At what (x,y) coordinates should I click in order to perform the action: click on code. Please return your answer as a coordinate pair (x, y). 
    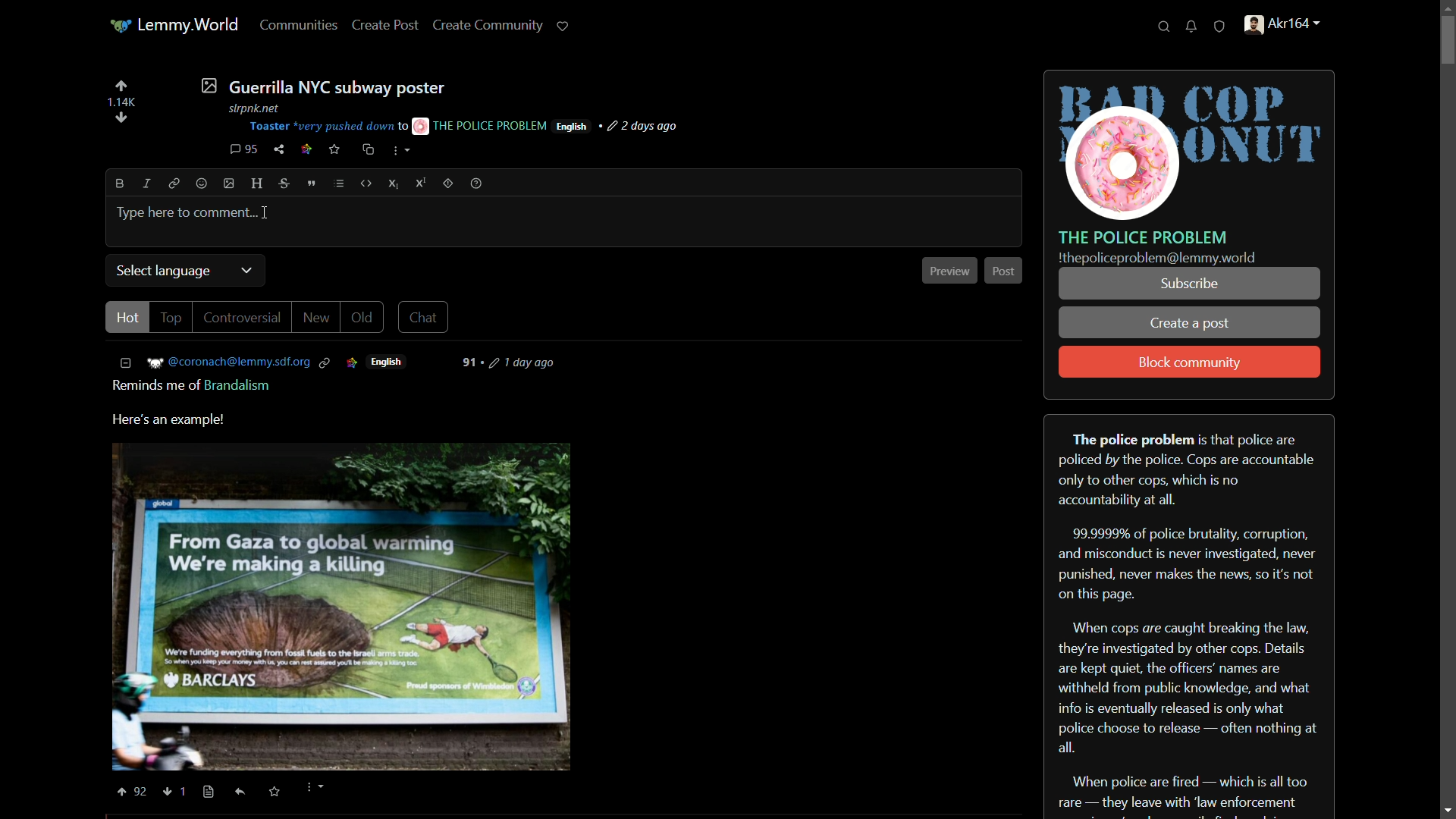
    Looking at the image, I should click on (367, 184).